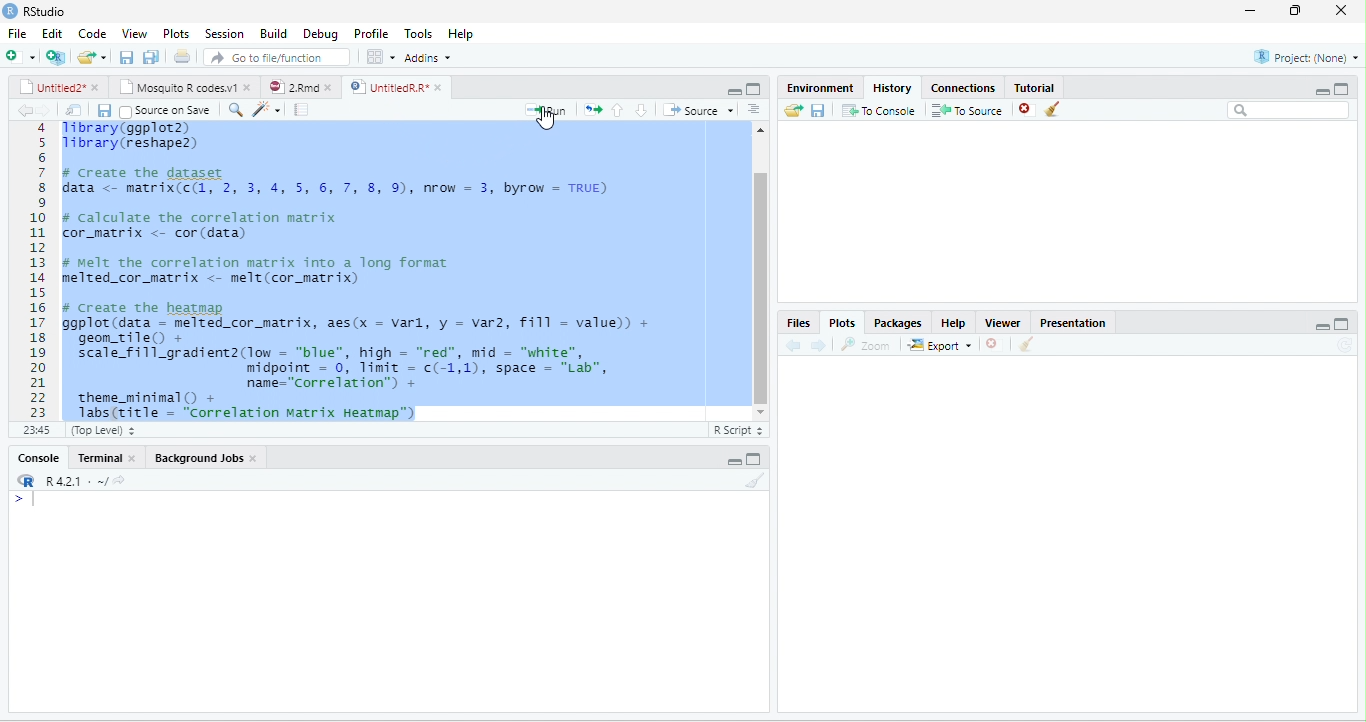  Describe the element at coordinates (735, 432) in the screenshot. I see `R SCRIPT` at that location.